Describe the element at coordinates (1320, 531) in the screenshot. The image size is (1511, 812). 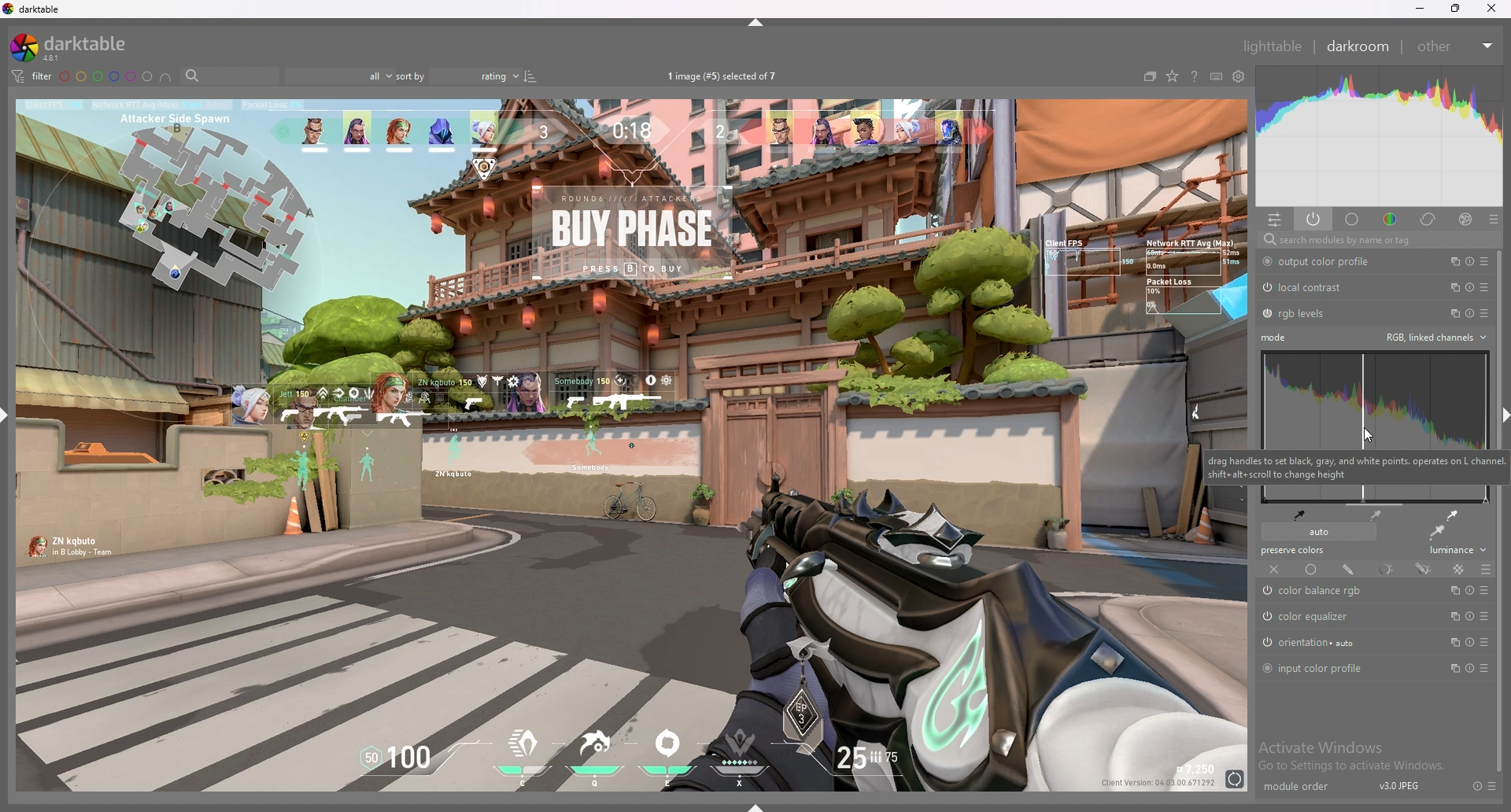
I see `auto` at that location.